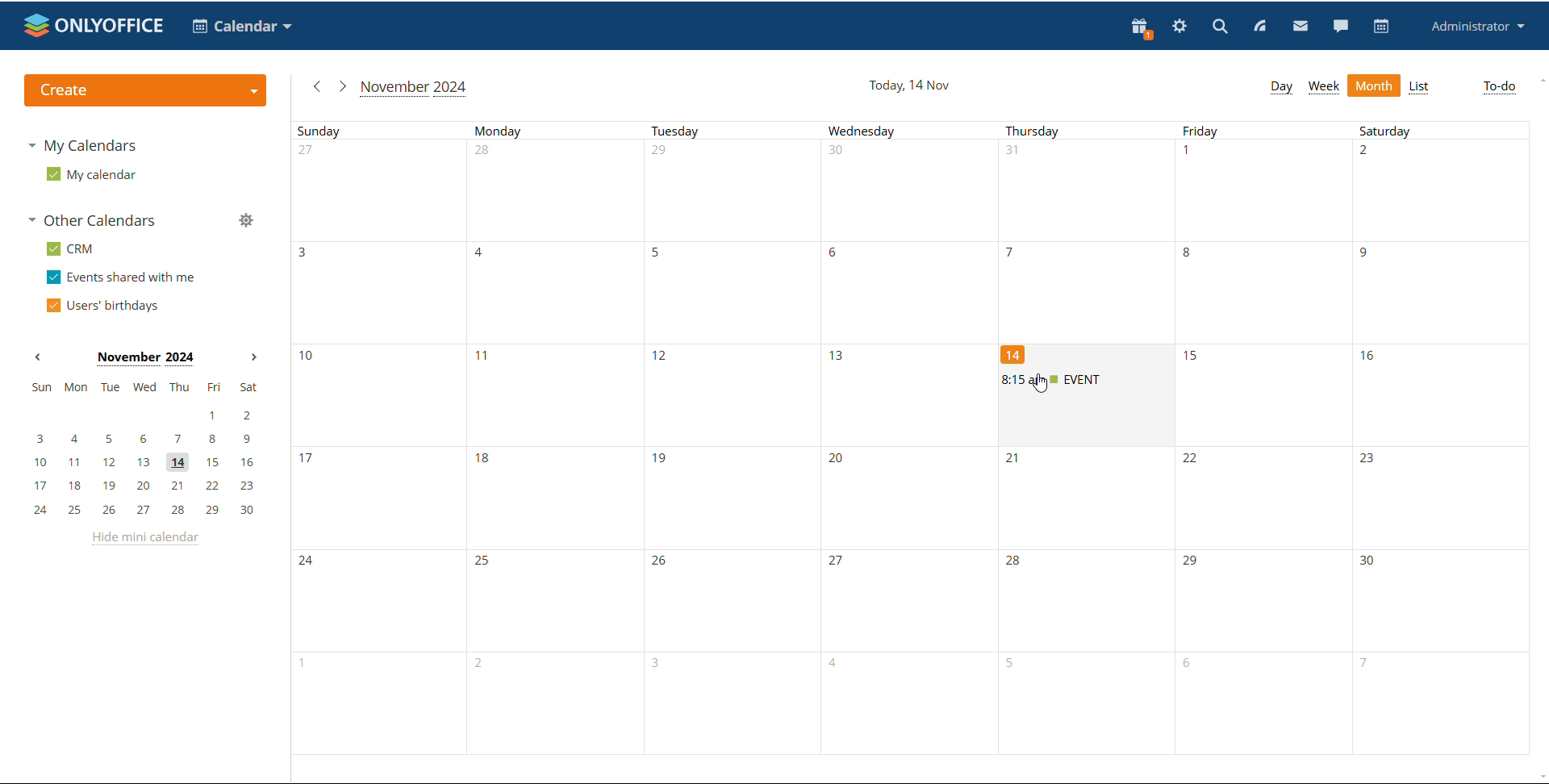 This screenshot has width=1549, height=784. What do you see at coordinates (145, 90) in the screenshot?
I see `create` at bounding box center [145, 90].